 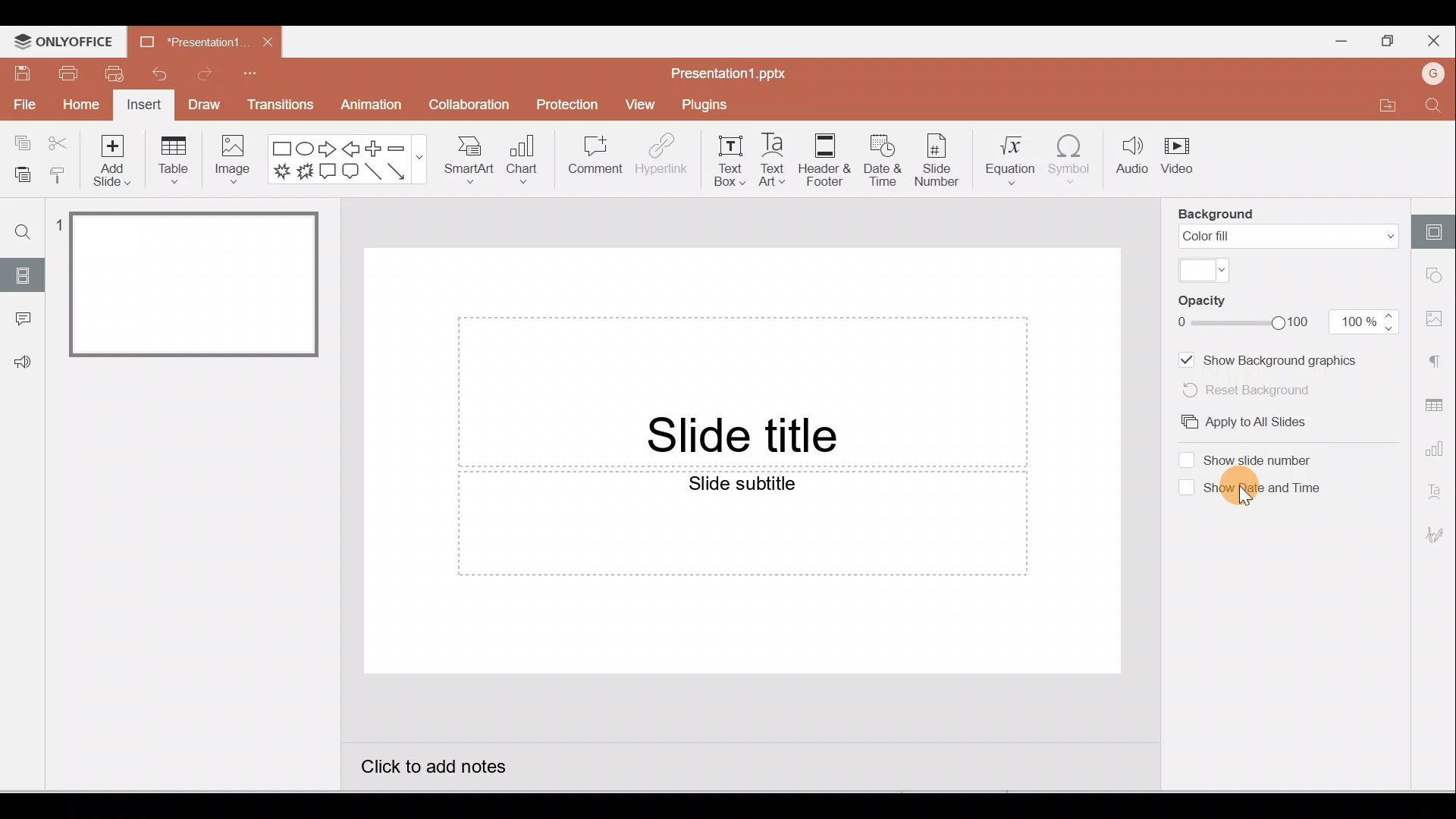 I want to click on Apply to all slides, so click(x=1250, y=422).